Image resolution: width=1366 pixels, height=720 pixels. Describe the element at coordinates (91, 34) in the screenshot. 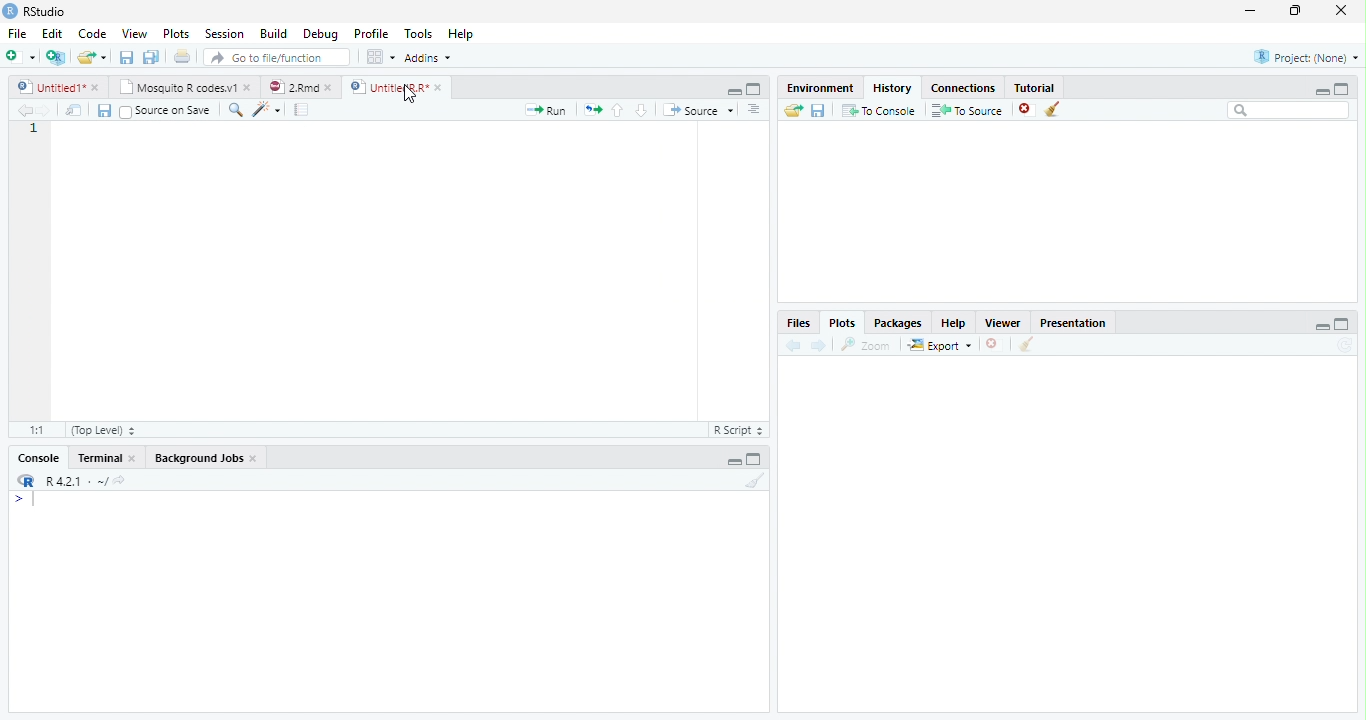

I see `Code` at that location.